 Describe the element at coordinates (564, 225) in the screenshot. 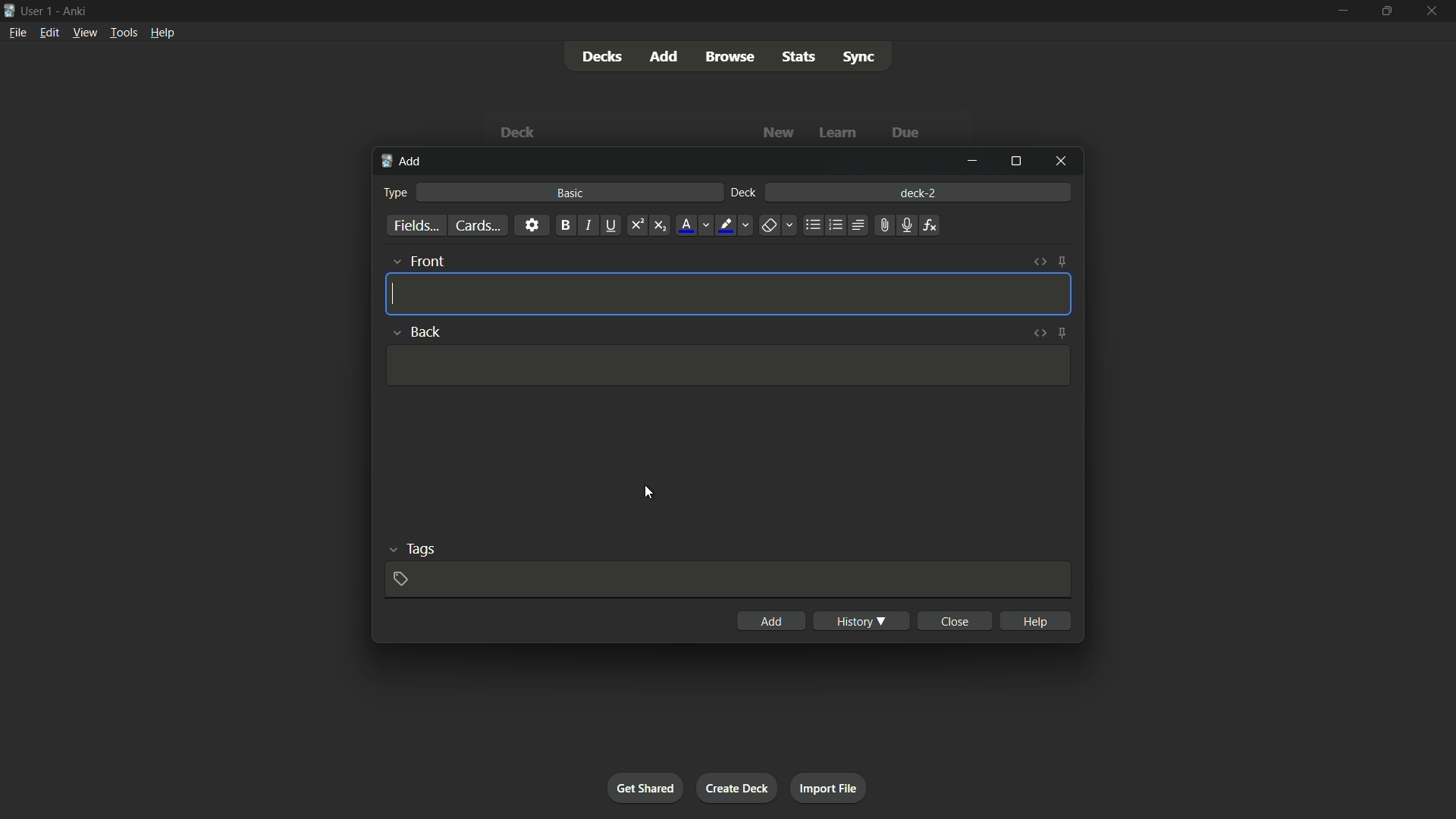

I see `bold` at that location.